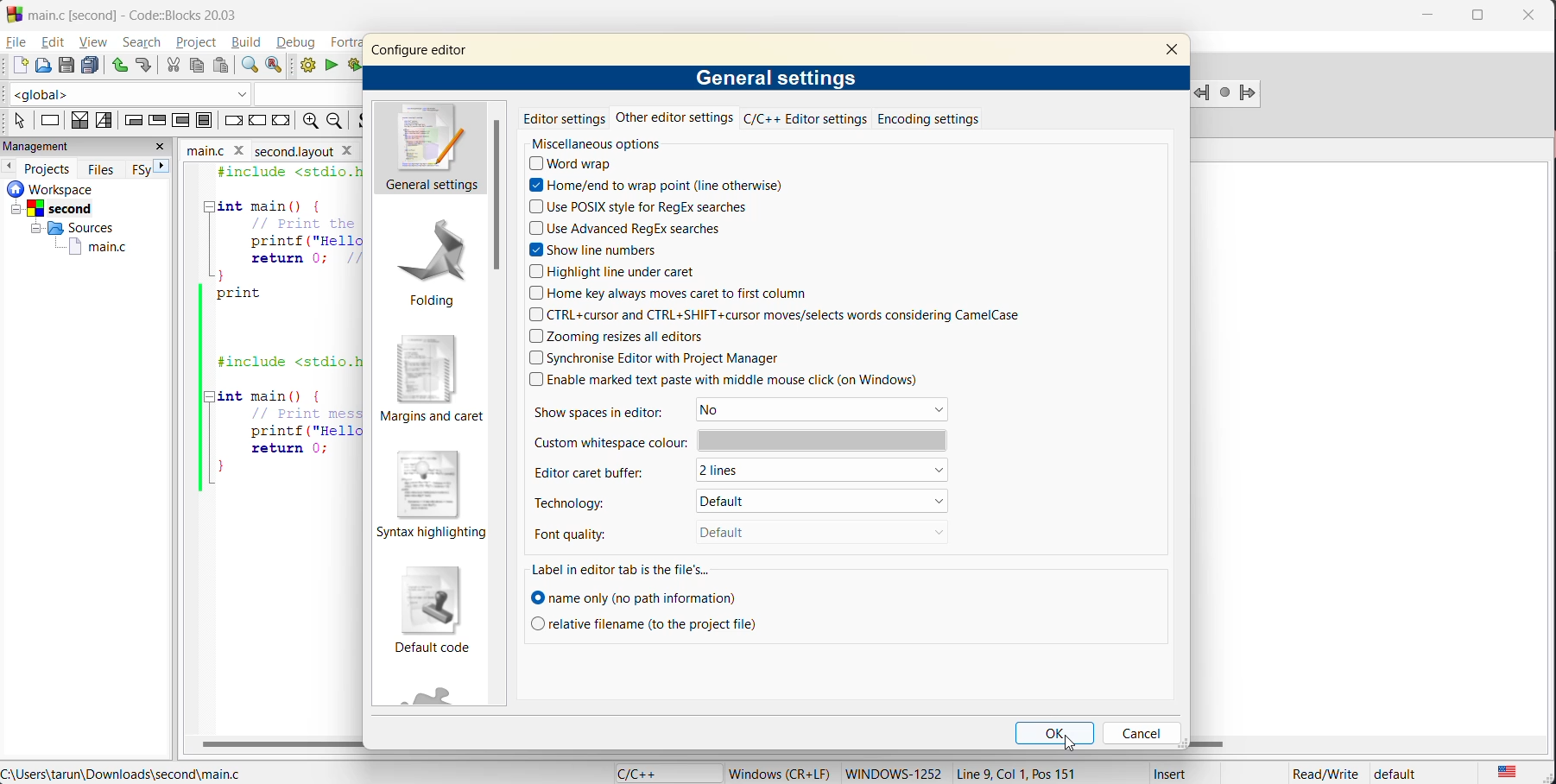 This screenshot has height=784, width=1556. What do you see at coordinates (143, 64) in the screenshot?
I see `redo` at bounding box center [143, 64].